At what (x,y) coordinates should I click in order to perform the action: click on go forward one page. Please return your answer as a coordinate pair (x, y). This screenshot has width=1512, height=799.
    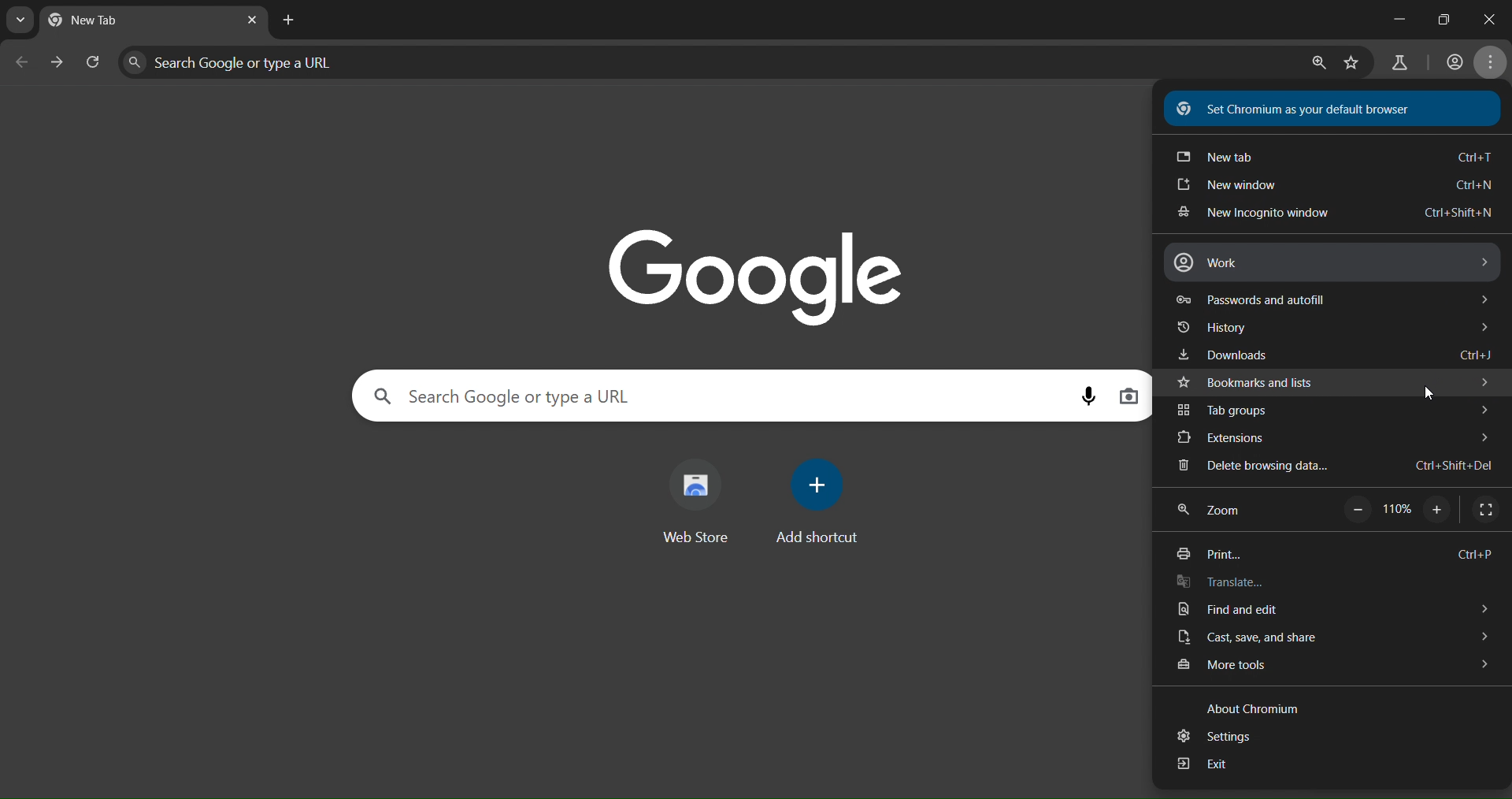
    Looking at the image, I should click on (57, 65).